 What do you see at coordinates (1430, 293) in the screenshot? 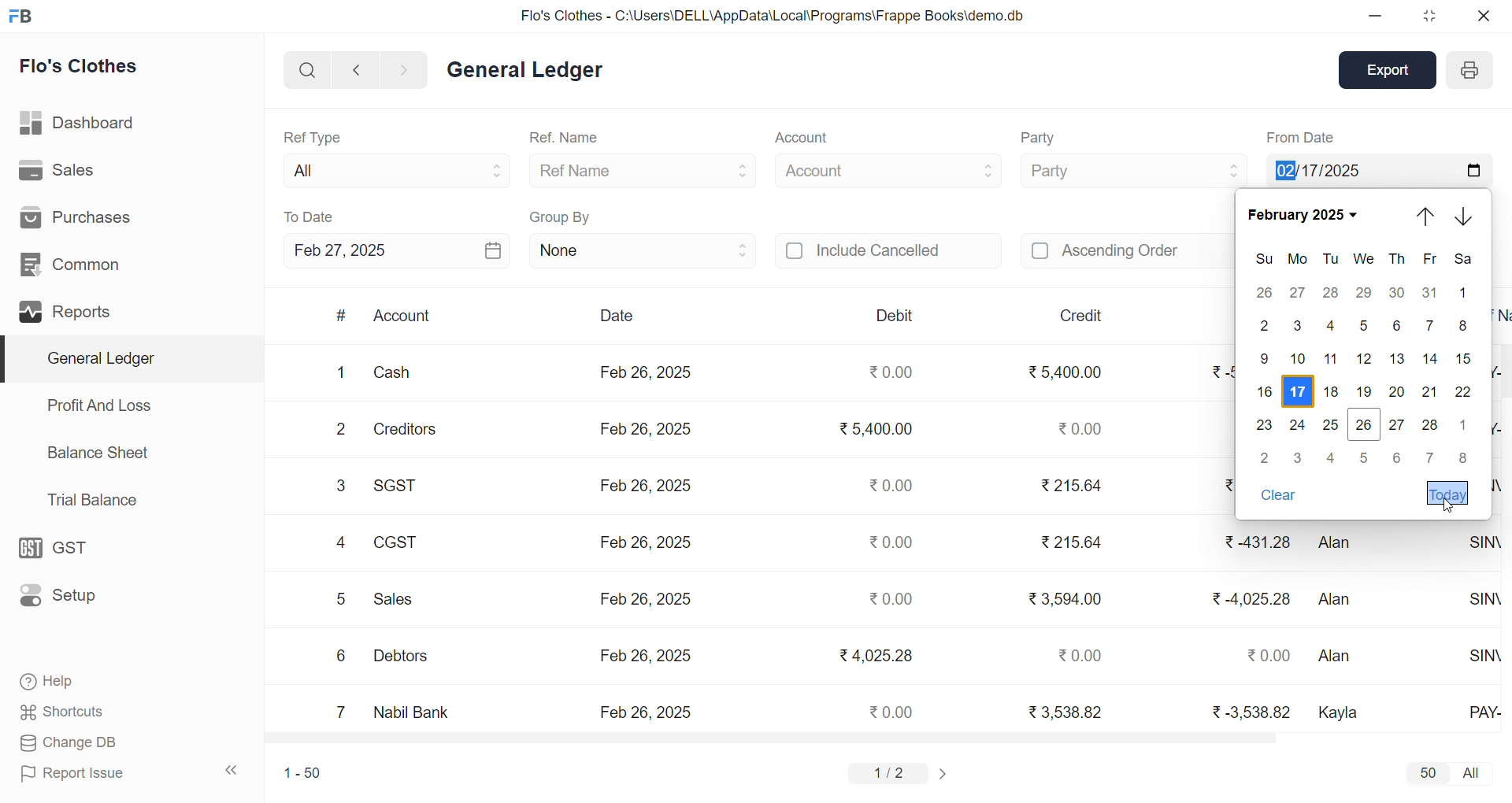
I see `31` at bounding box center [1430, 293].